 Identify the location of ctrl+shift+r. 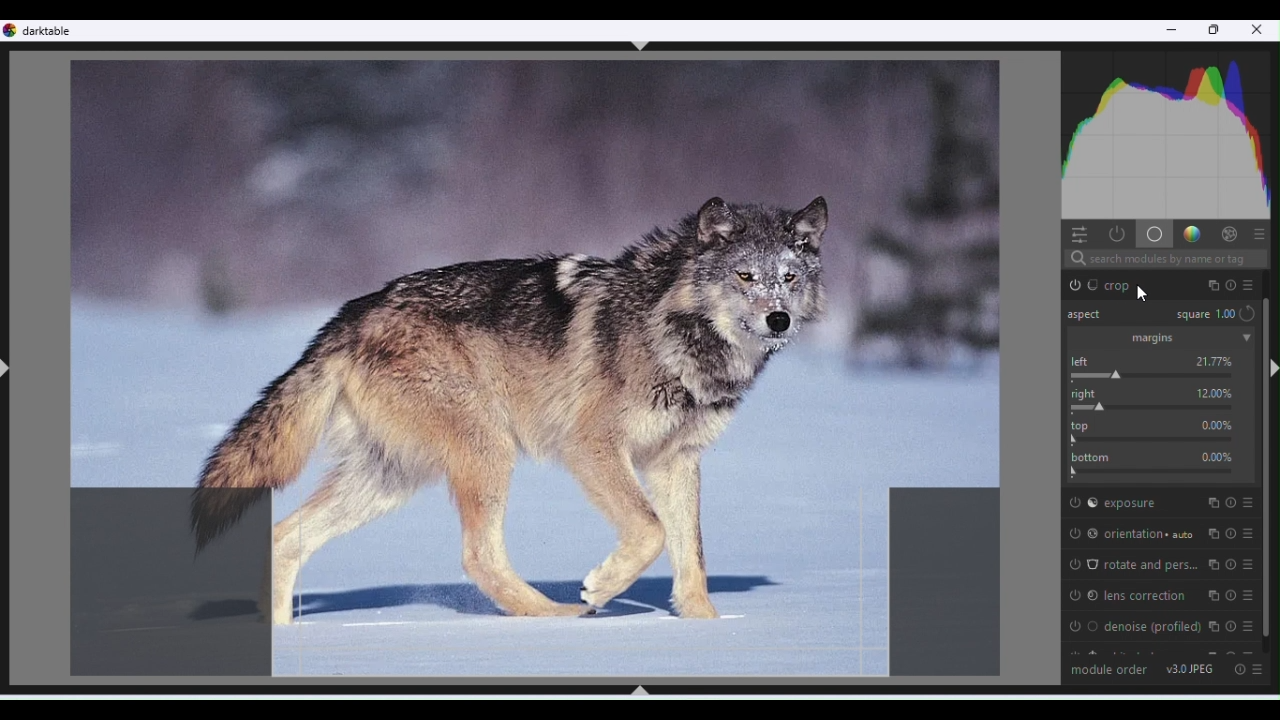
(1271, 368).